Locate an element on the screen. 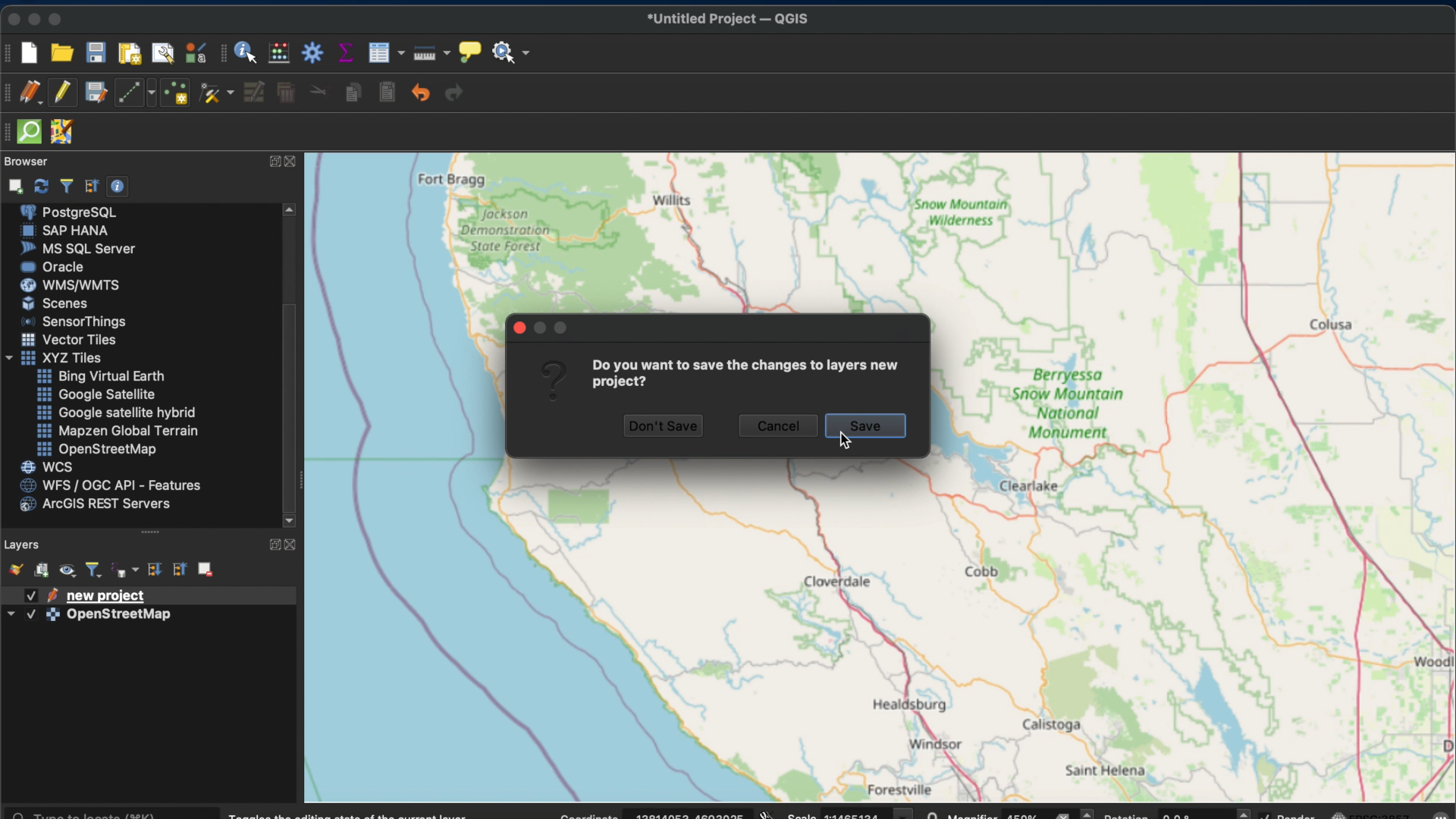  wfs/ogc api - features is located at coordinates (107, 486).